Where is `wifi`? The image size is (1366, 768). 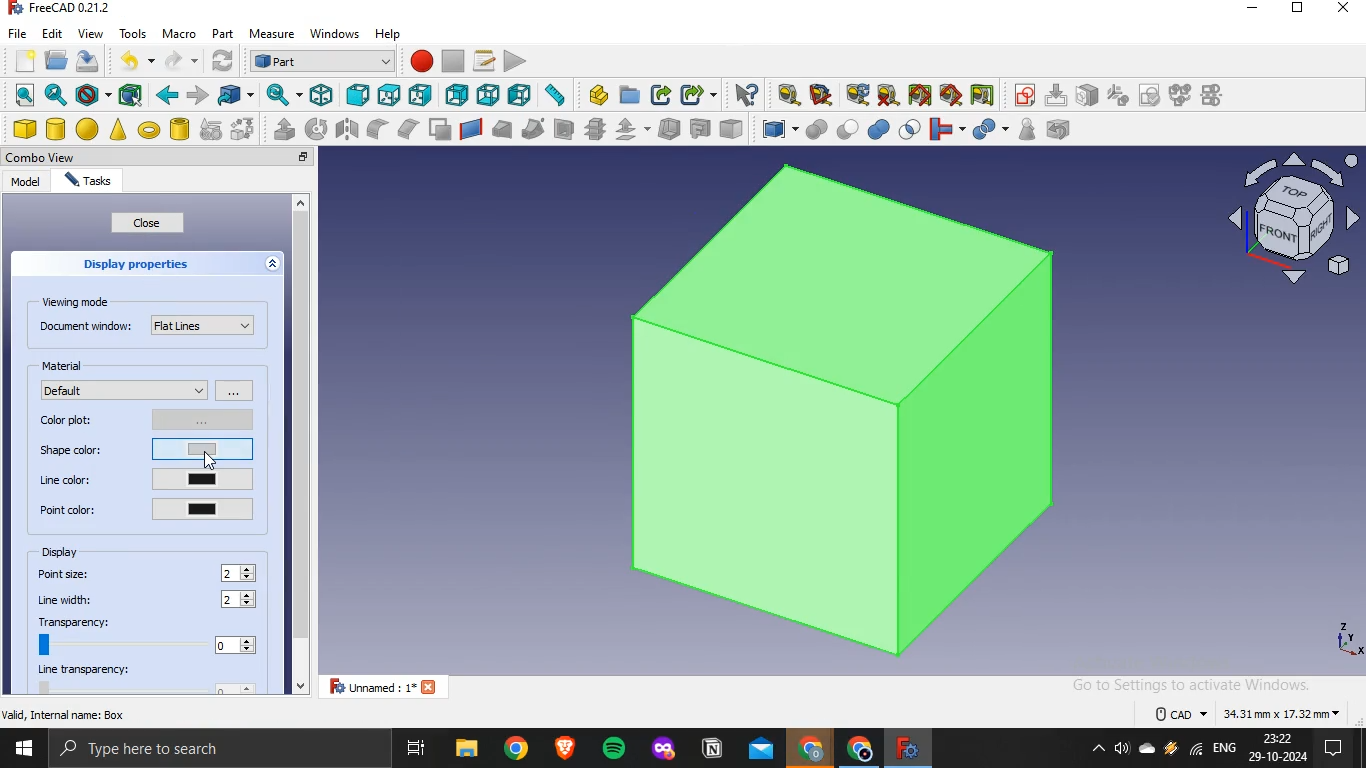 wifi is located at coordinates (1196, 752).